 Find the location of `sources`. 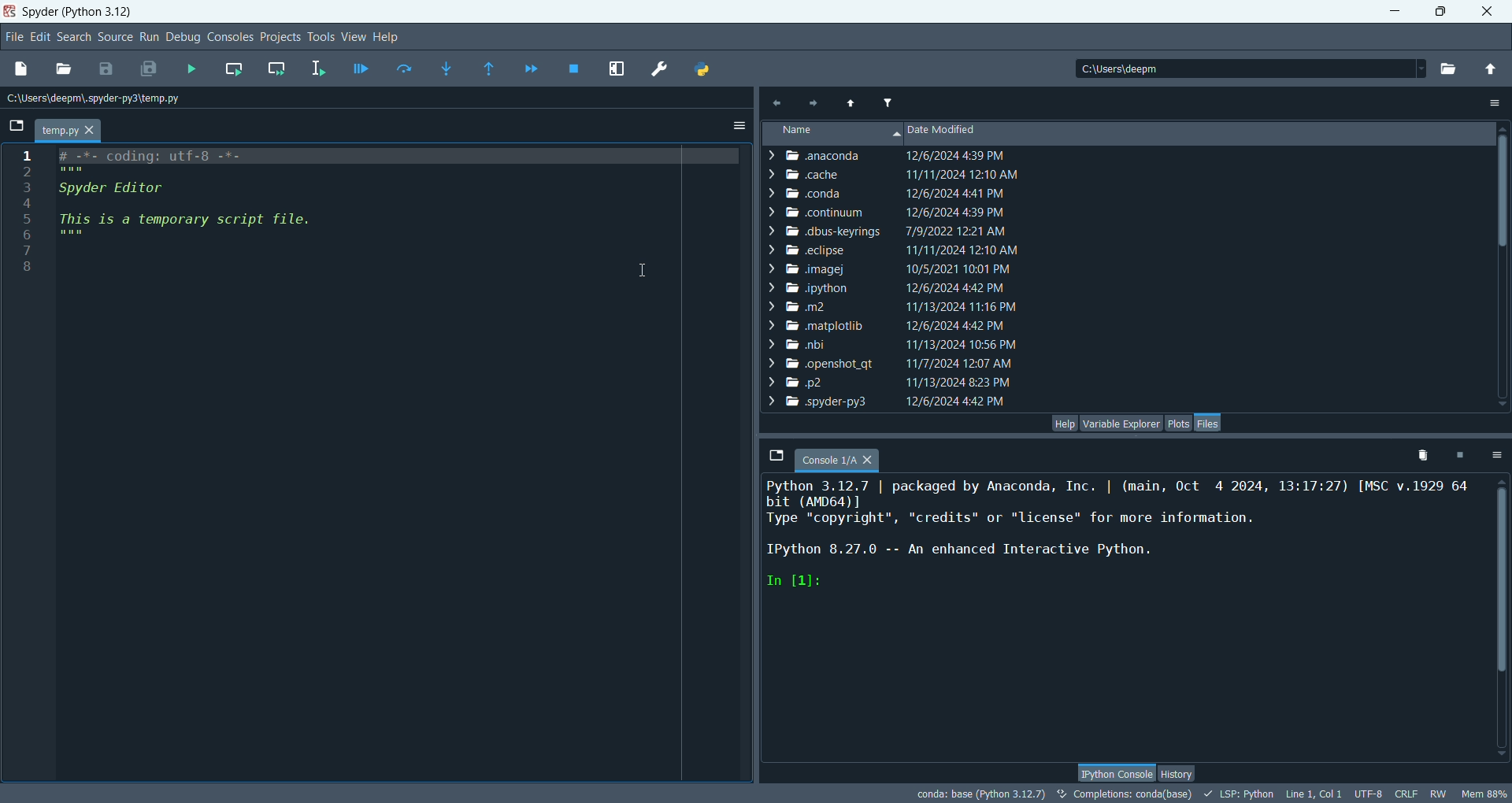

sources is located at coordinates (115, 39).